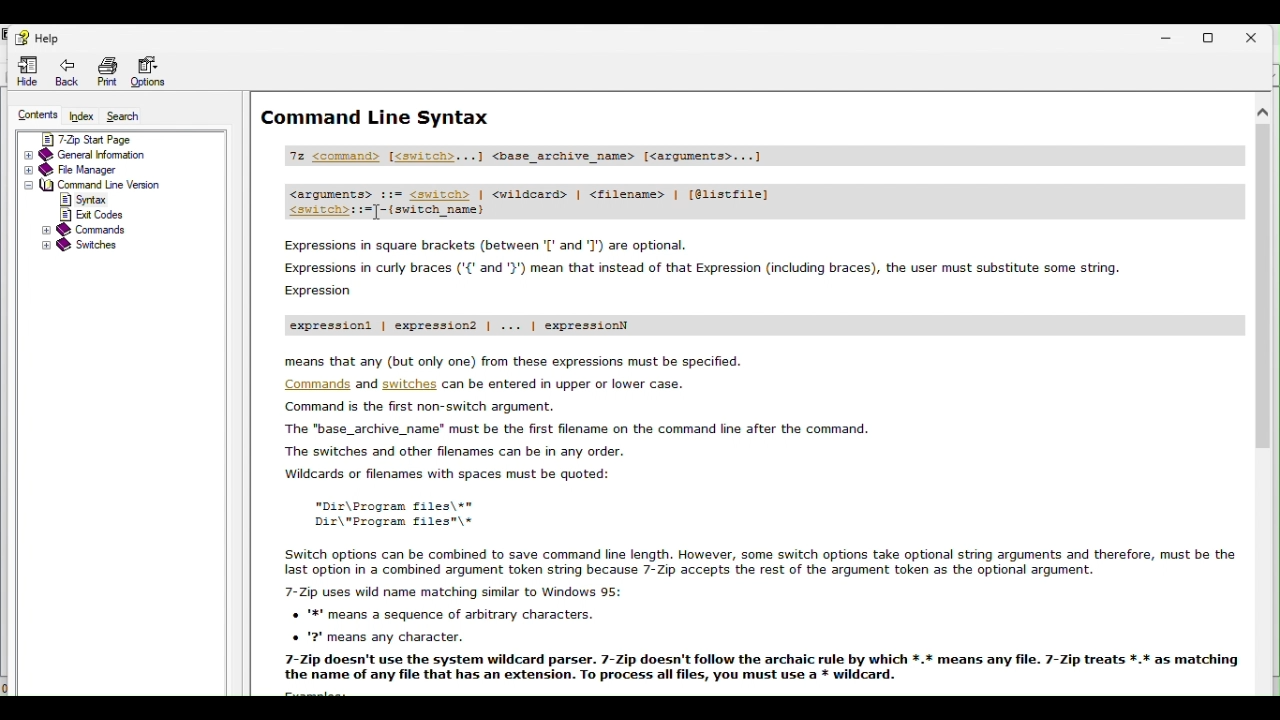  What do you see at coordinates (441, 196) in the screenshot?
I see `<switch>` at bounding box center [441, 196].